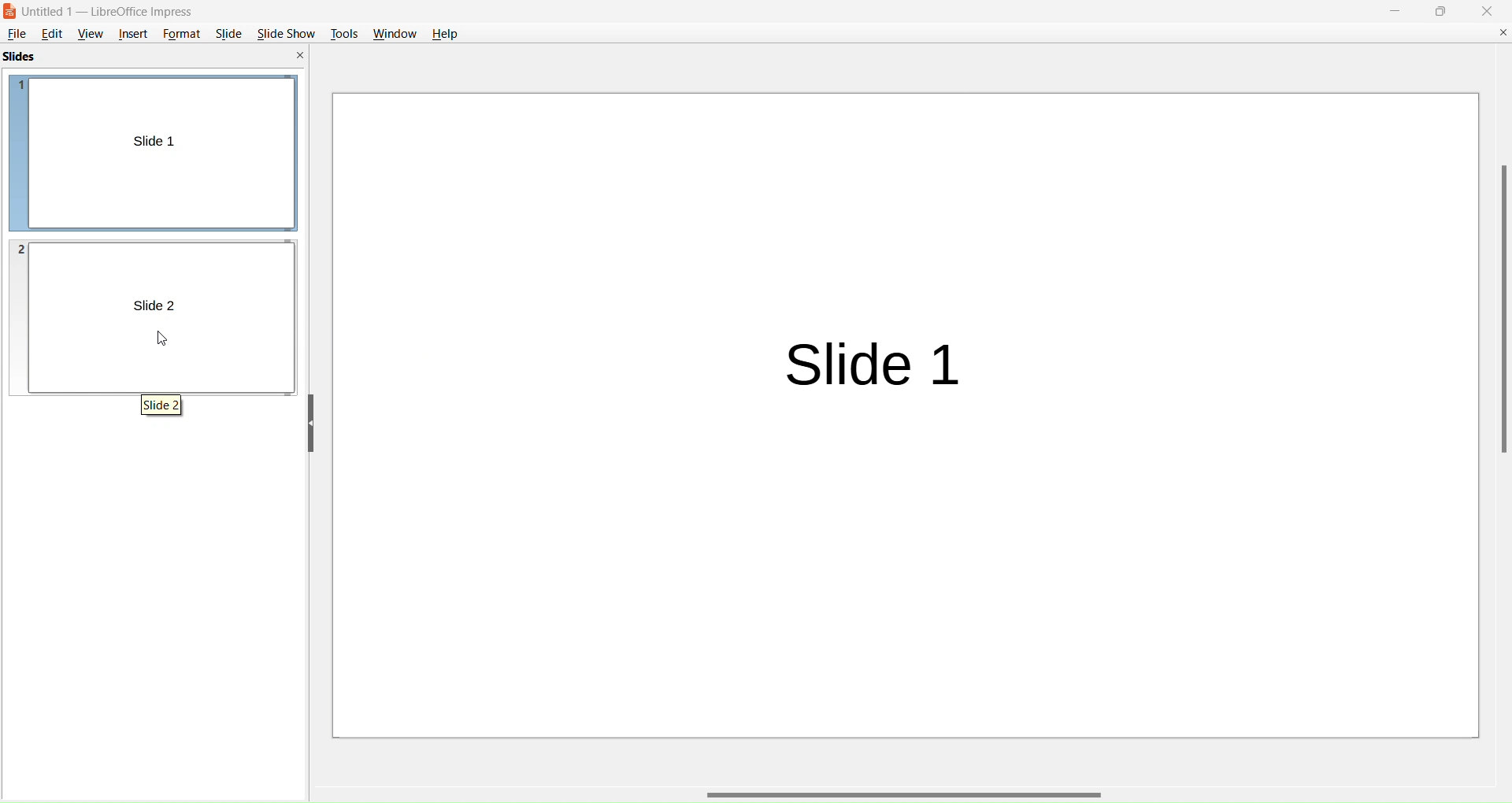 Image resolution: width=1512 pixels, height=803 pixels. Describe the element at coordinates (19, 58) in the screenshot. I see `slides` at that location.